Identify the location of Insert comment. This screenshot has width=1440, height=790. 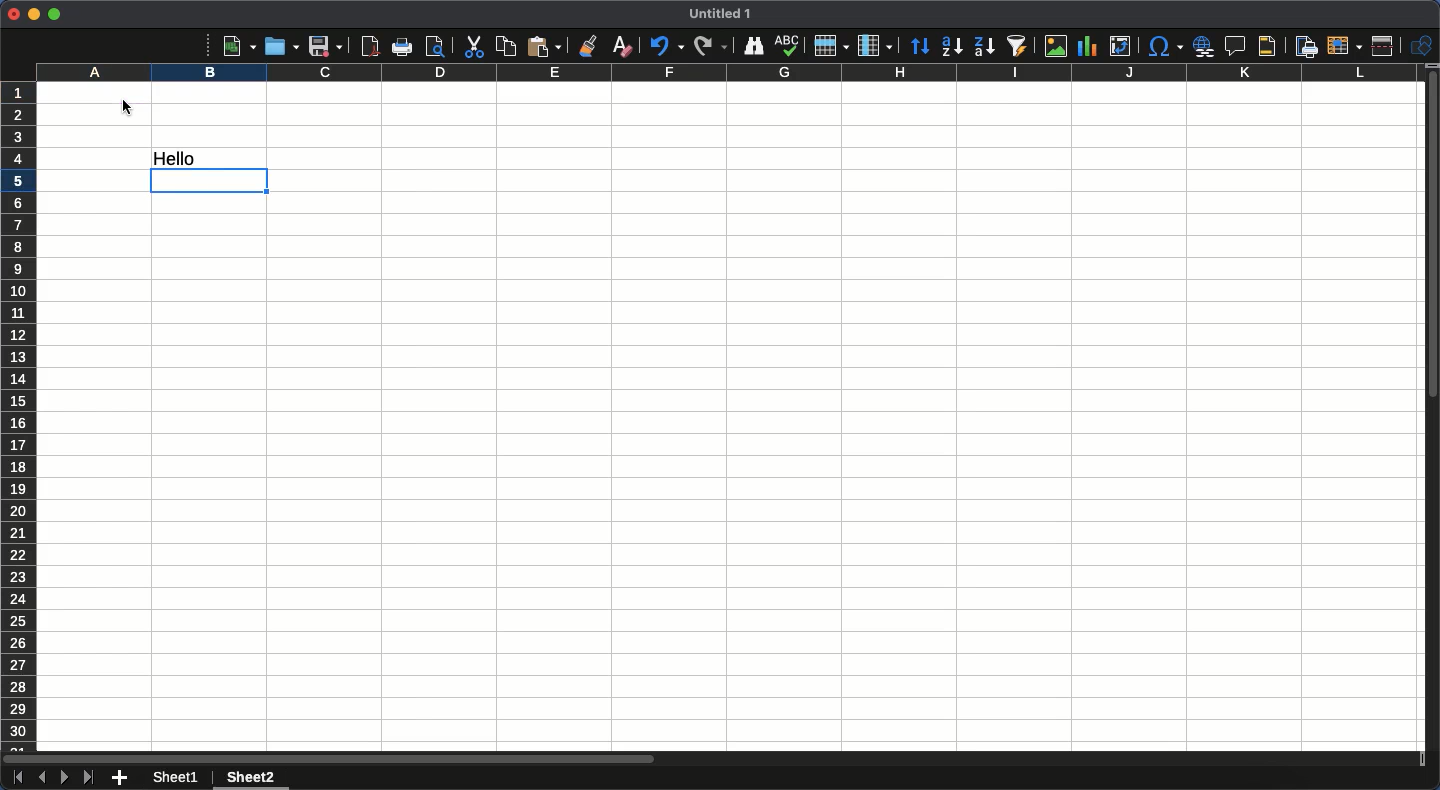
(1238, 47).